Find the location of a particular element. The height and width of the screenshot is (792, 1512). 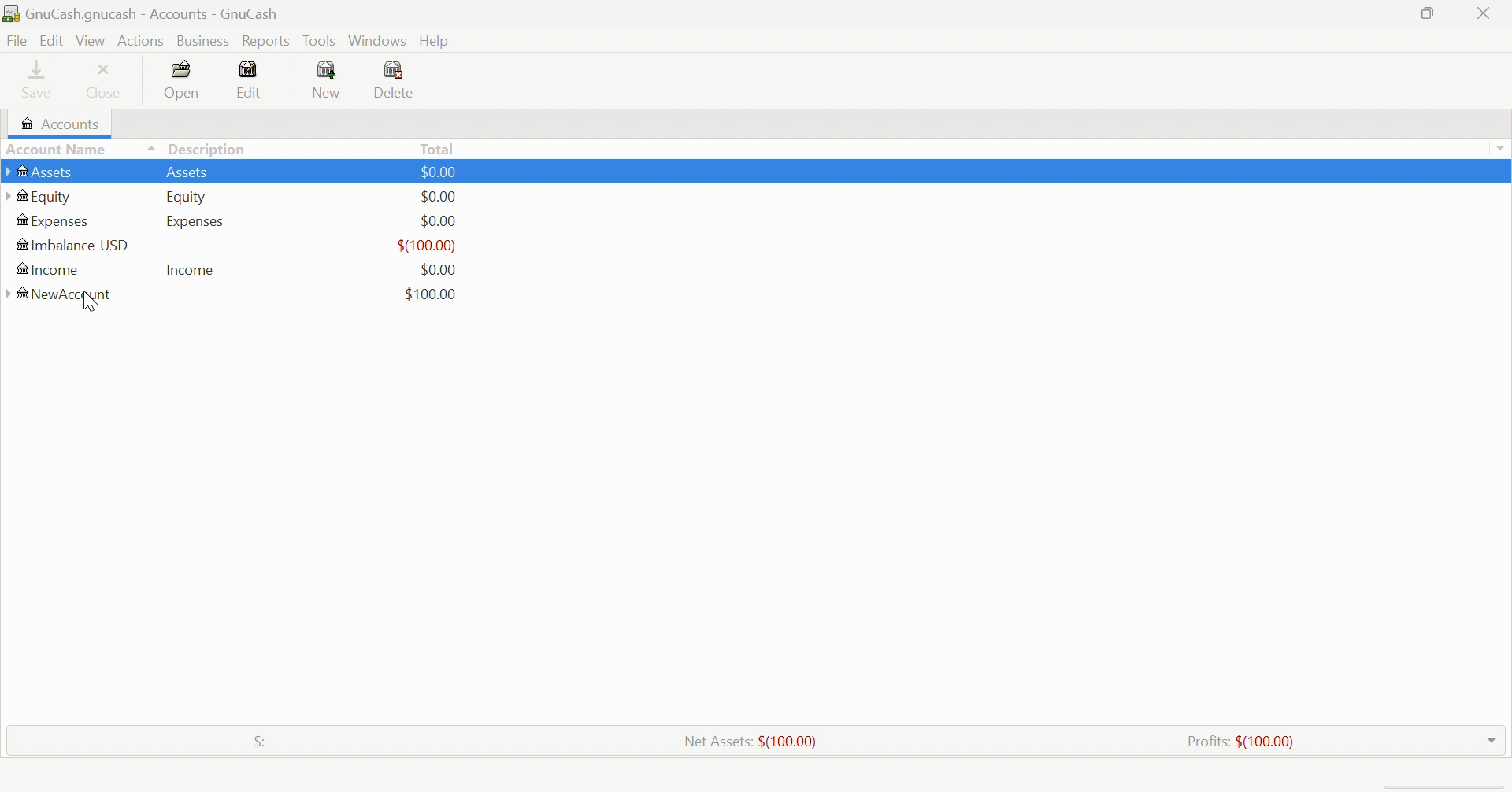

$: is located at coordinates (259, 741).